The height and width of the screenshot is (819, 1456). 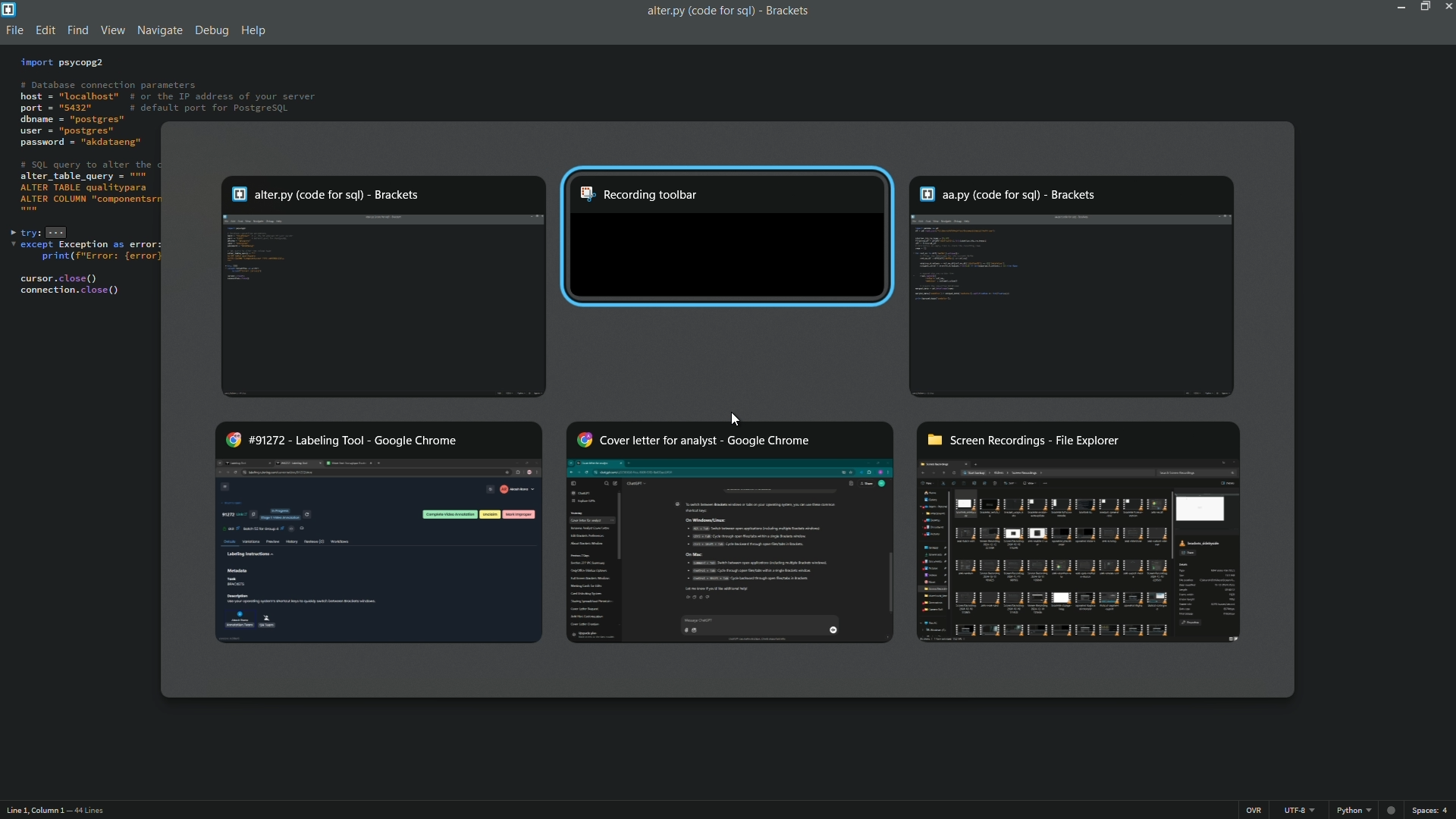 What do you see at coordinates (736, 419) in the screenshot?
I see `Cursor` at bounding box center [736, 419].